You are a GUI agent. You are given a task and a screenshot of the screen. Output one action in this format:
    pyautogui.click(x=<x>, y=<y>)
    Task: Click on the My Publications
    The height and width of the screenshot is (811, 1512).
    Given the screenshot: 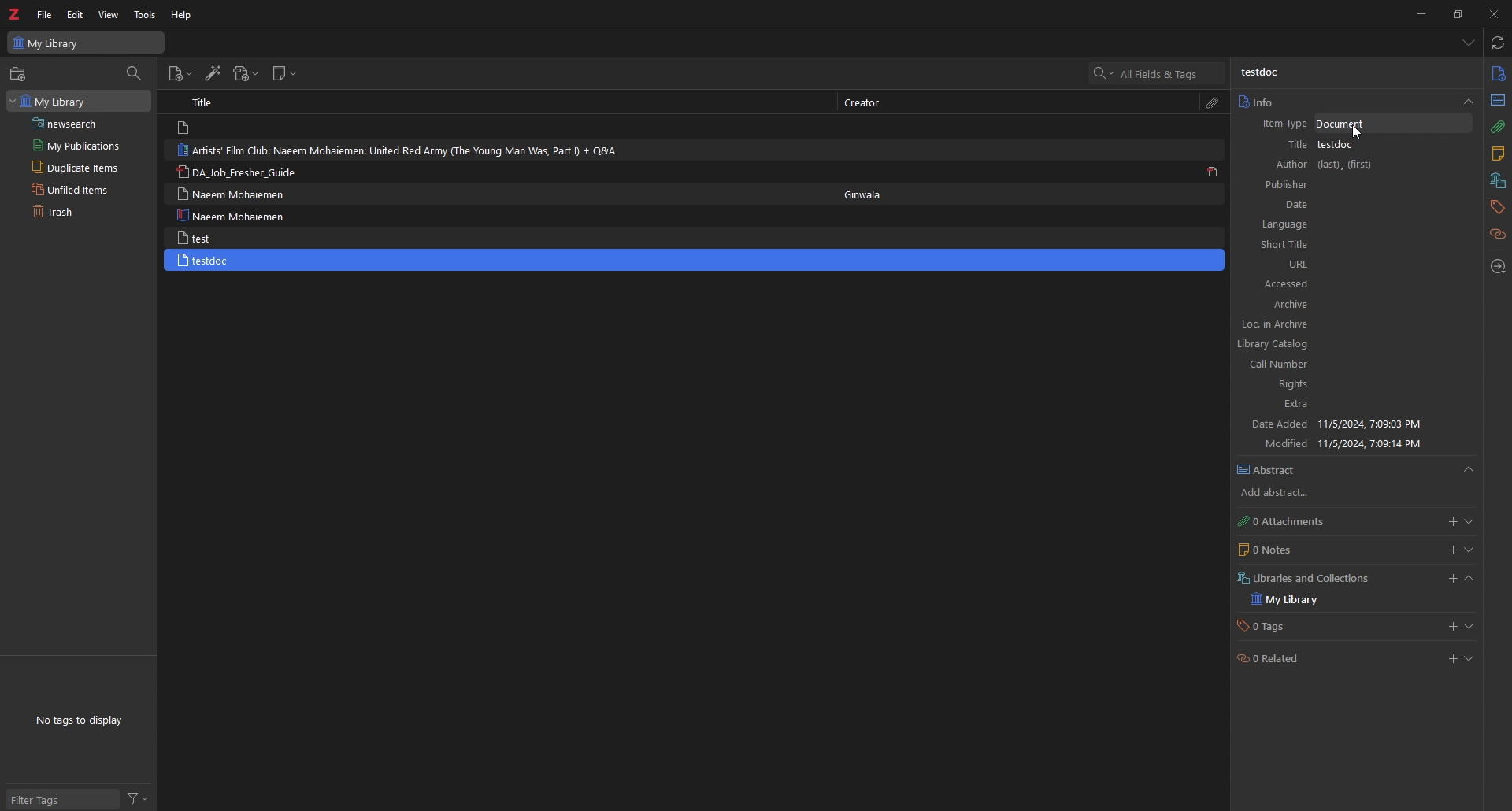 What is the action you would take?
    pyautogui.click(x=82, y=146)
    